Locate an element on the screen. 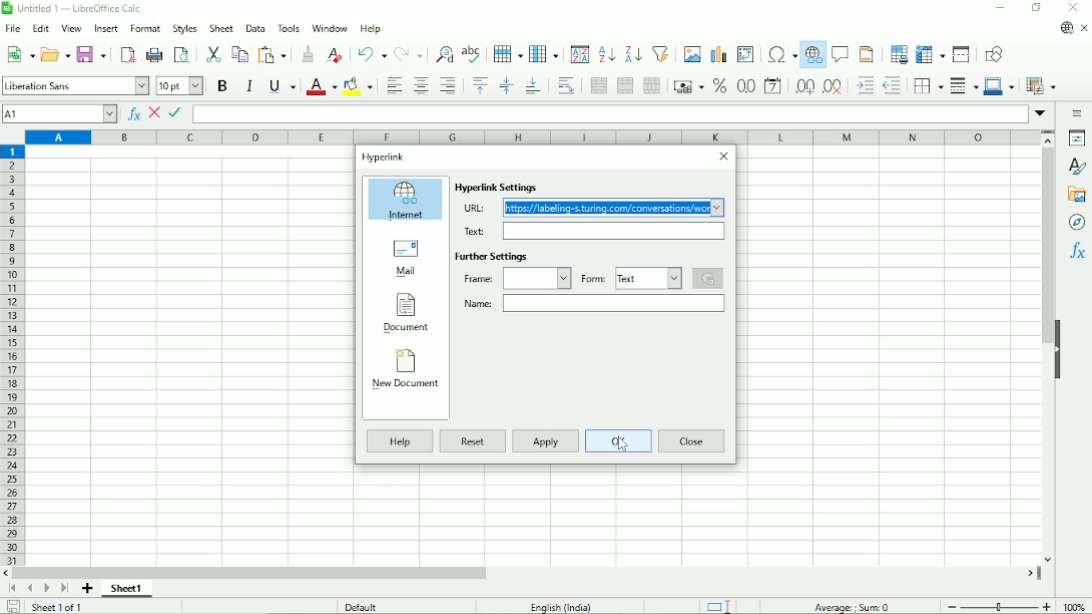 The width and height of the screenshot is (1092, 614). Font style is located at coordinates (75, 85).